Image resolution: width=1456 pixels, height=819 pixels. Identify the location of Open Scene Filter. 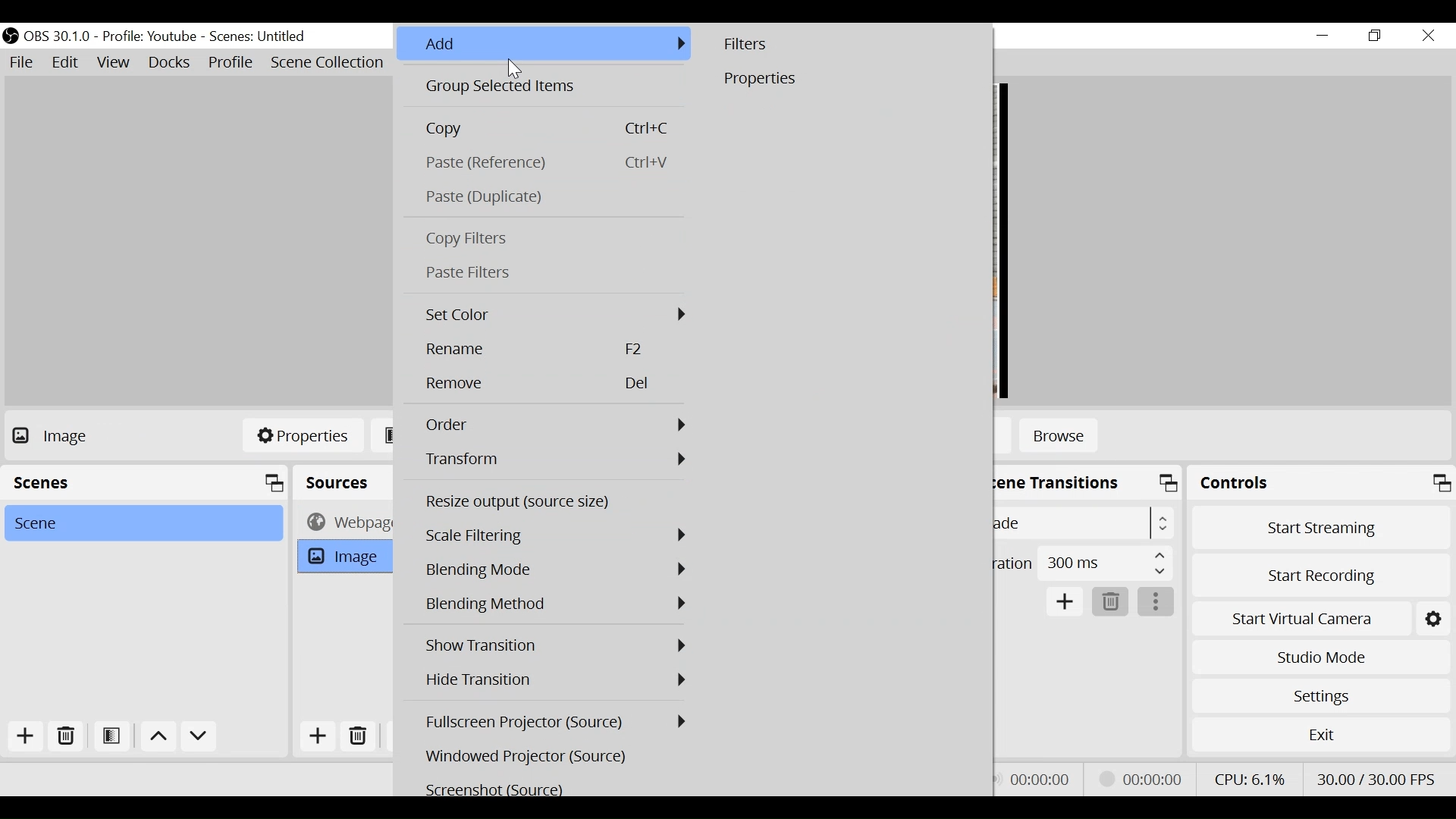
(110, 737).